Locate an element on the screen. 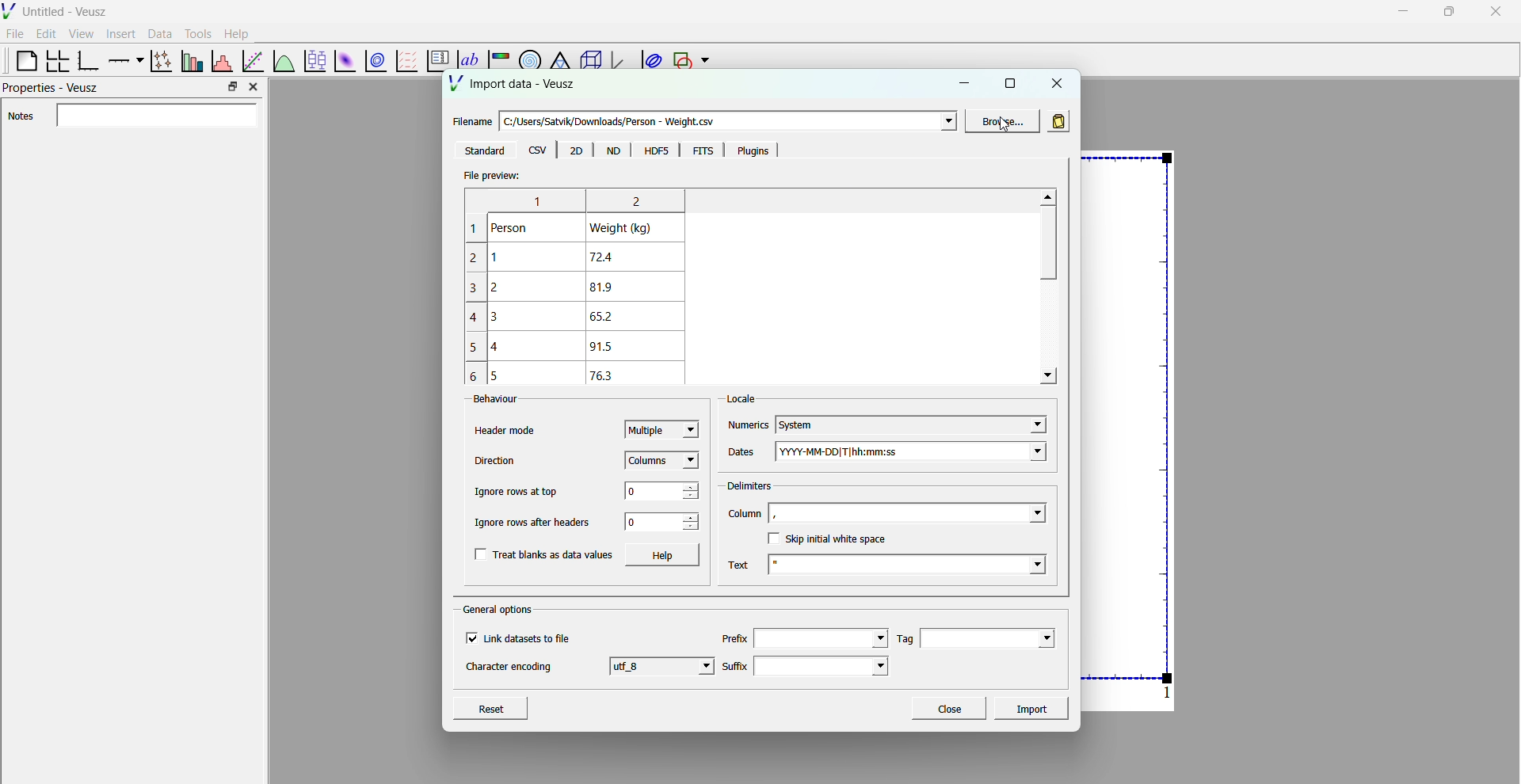 This screenshot has height=784, width=1521. decrease value is located at coordinates (691, 527).